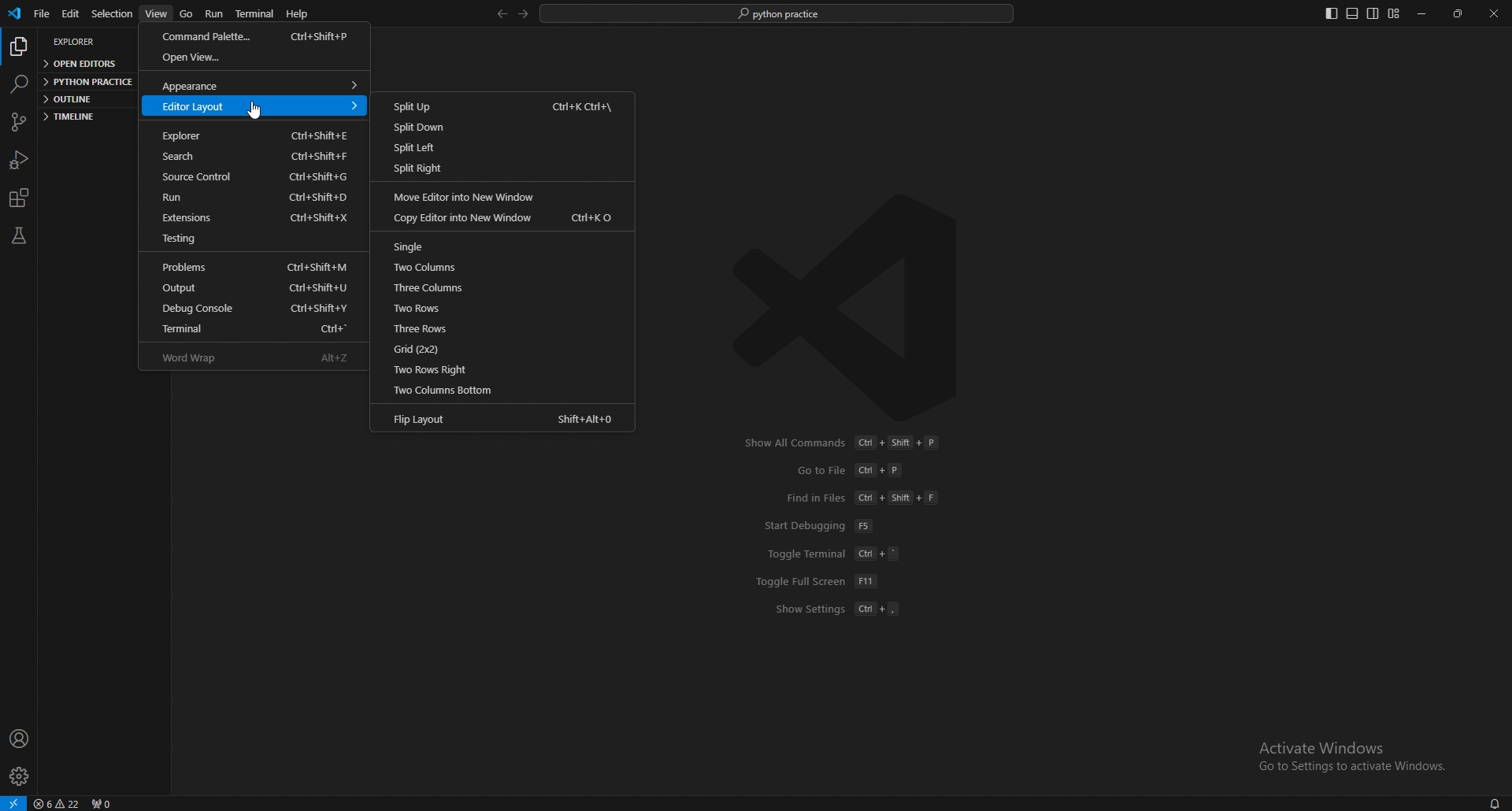  What do you see at coordinates (844, 289) in the screenshot?
I see `vscode logo` at bounding box center [844, 289].